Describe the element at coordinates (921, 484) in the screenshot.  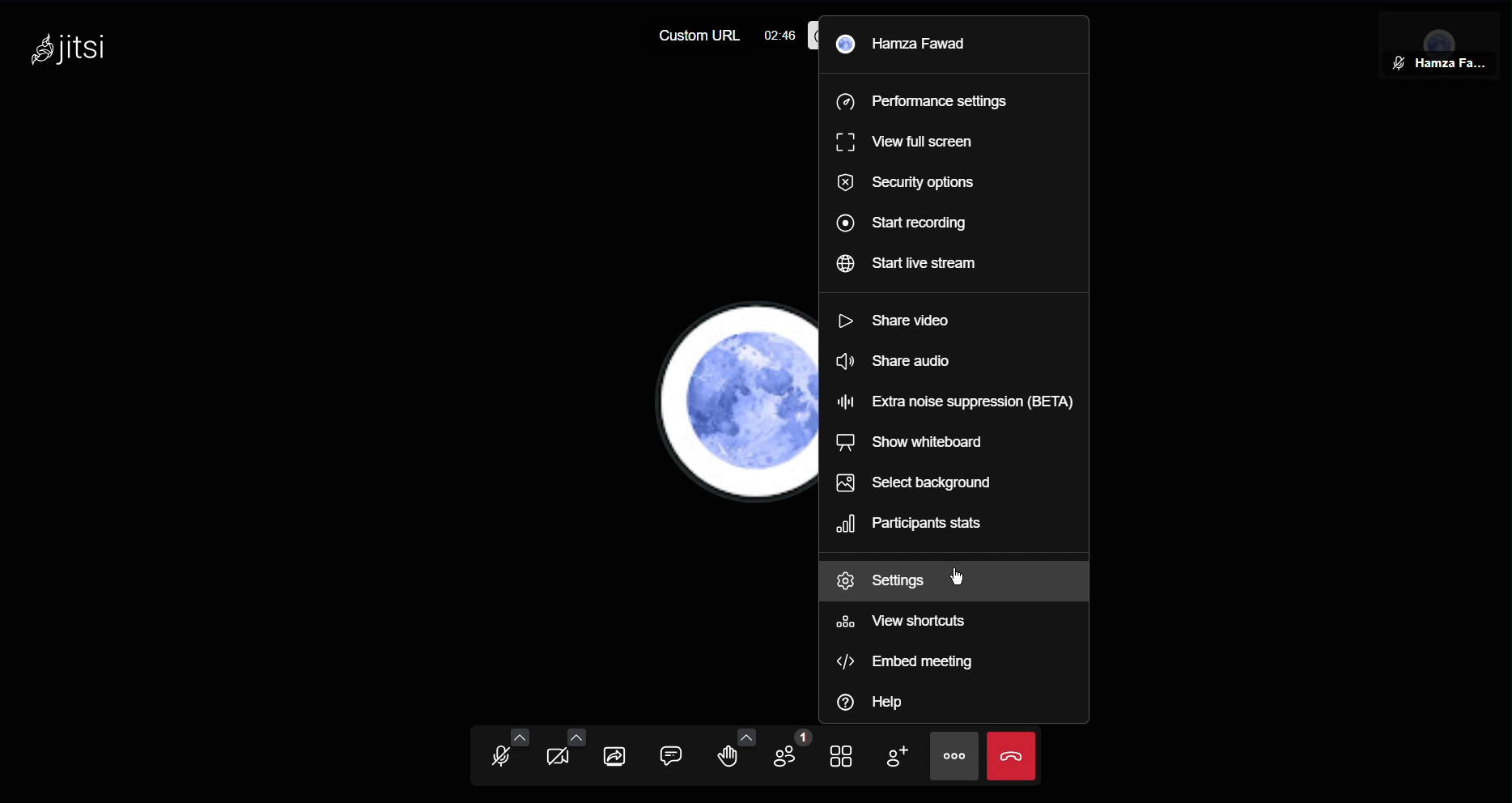
I see `Select background` at that location.